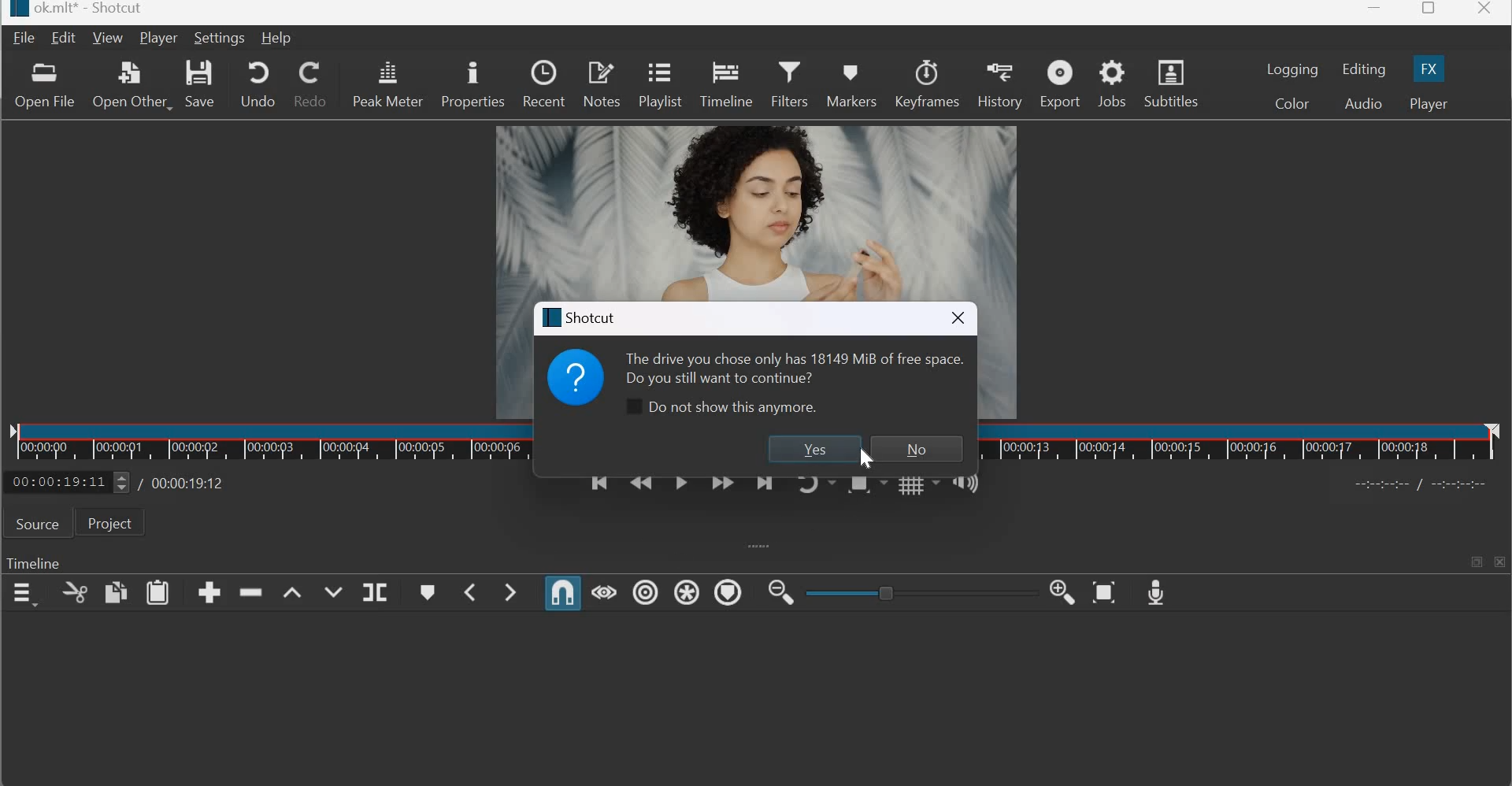 The width and height of the screenshot is (1512, 786). Describe the element at coordinates (65, 38) in the screenshot. I see `Edit` at that location.